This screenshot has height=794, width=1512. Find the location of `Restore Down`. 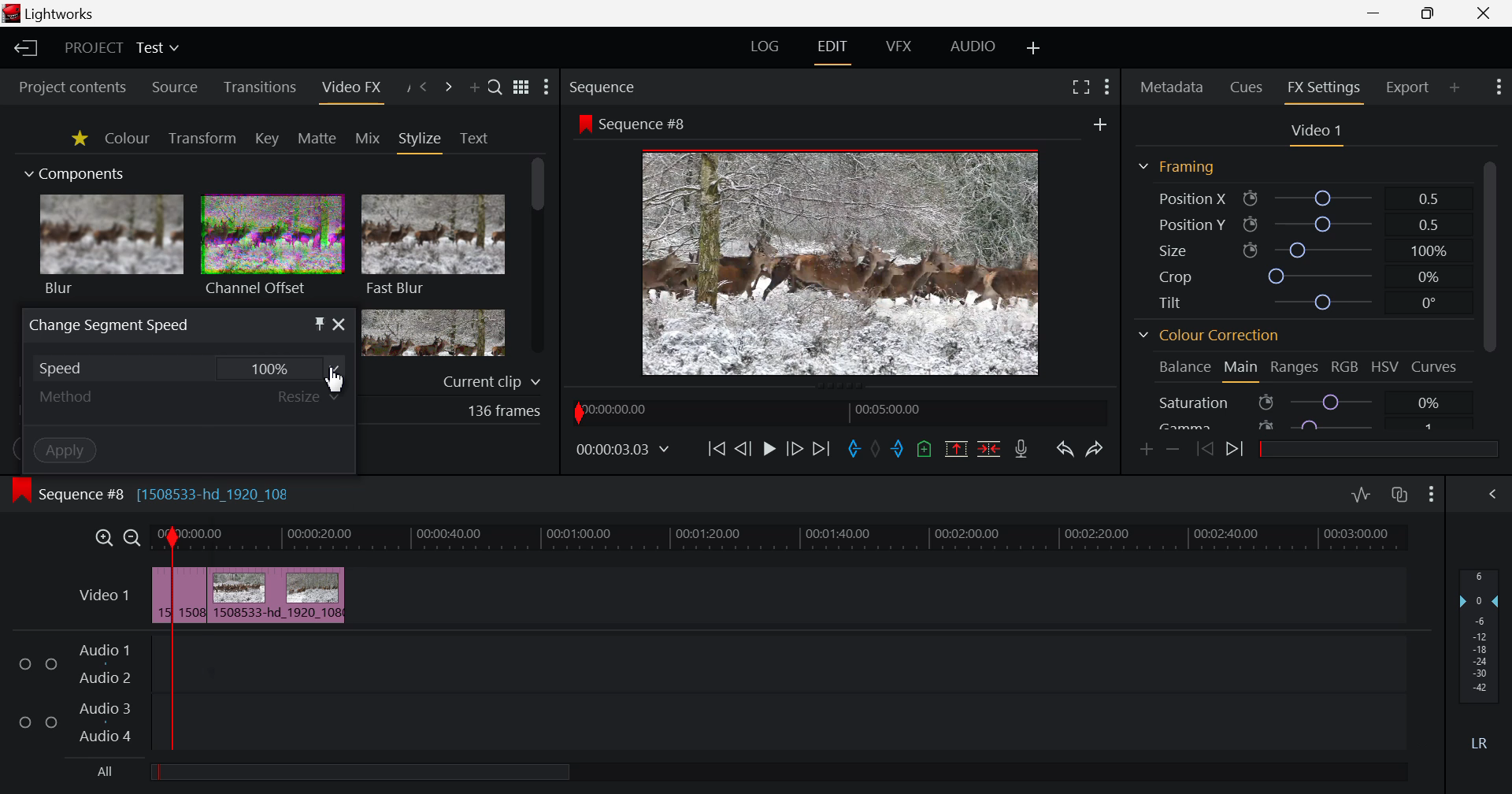

Restore Down is located at coordinates (1376, 13).